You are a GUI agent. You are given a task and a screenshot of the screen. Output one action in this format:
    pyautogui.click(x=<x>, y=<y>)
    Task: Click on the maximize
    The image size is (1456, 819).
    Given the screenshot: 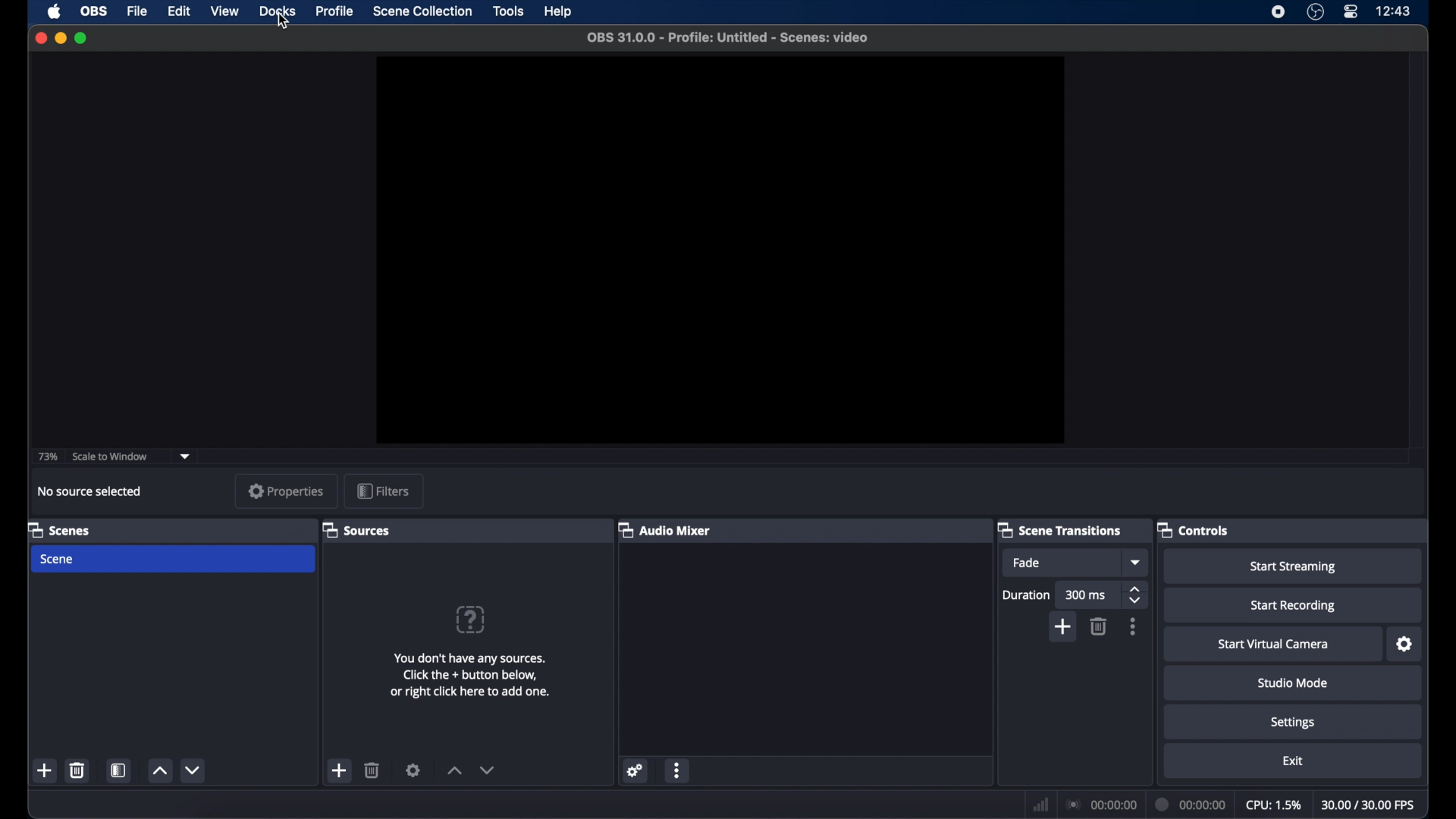 What is the action you would take?
    pyautogui.click(x=82, y=39)
    